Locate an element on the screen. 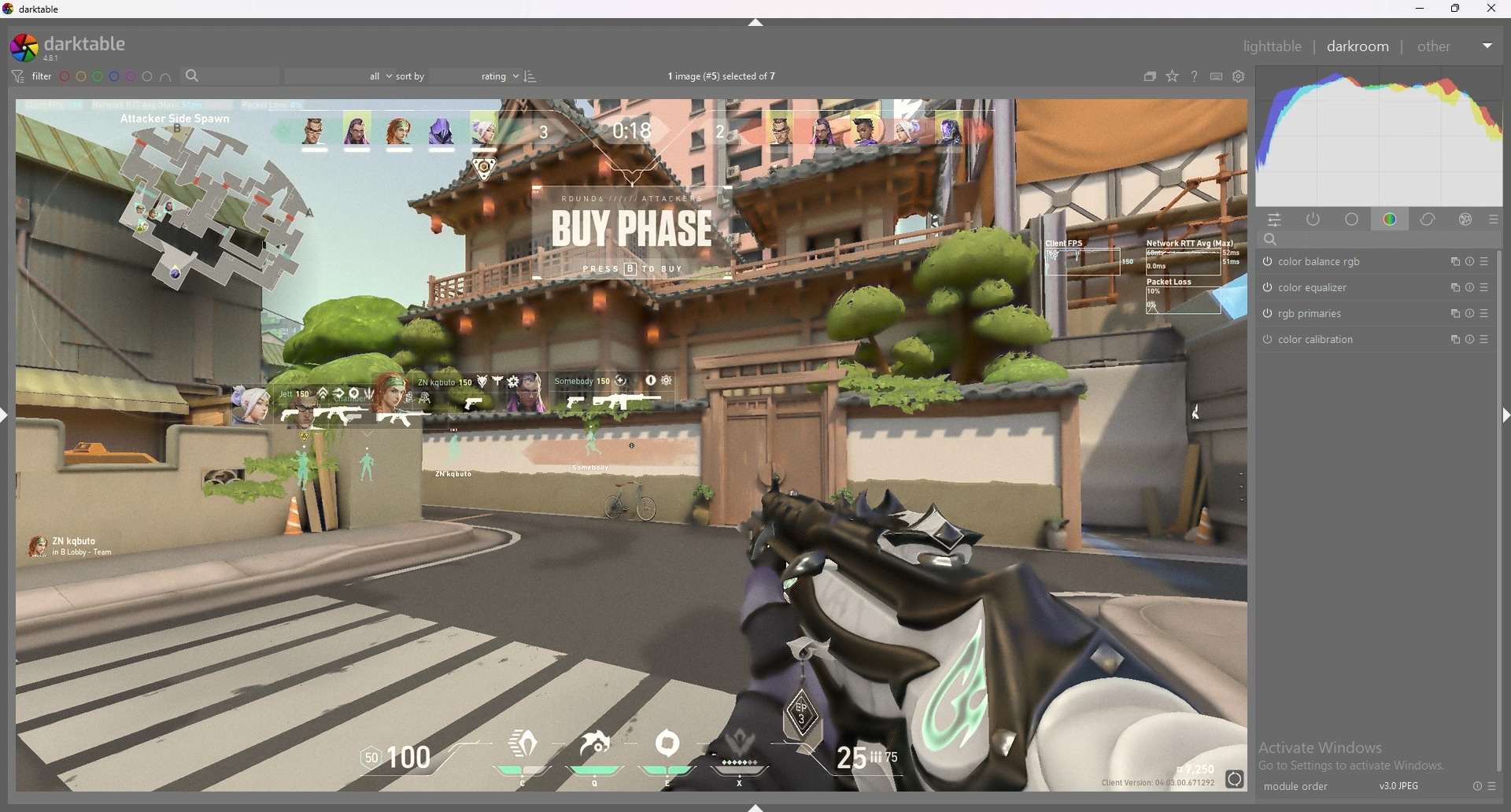  lighttable is located at coordinates (1272, 46).